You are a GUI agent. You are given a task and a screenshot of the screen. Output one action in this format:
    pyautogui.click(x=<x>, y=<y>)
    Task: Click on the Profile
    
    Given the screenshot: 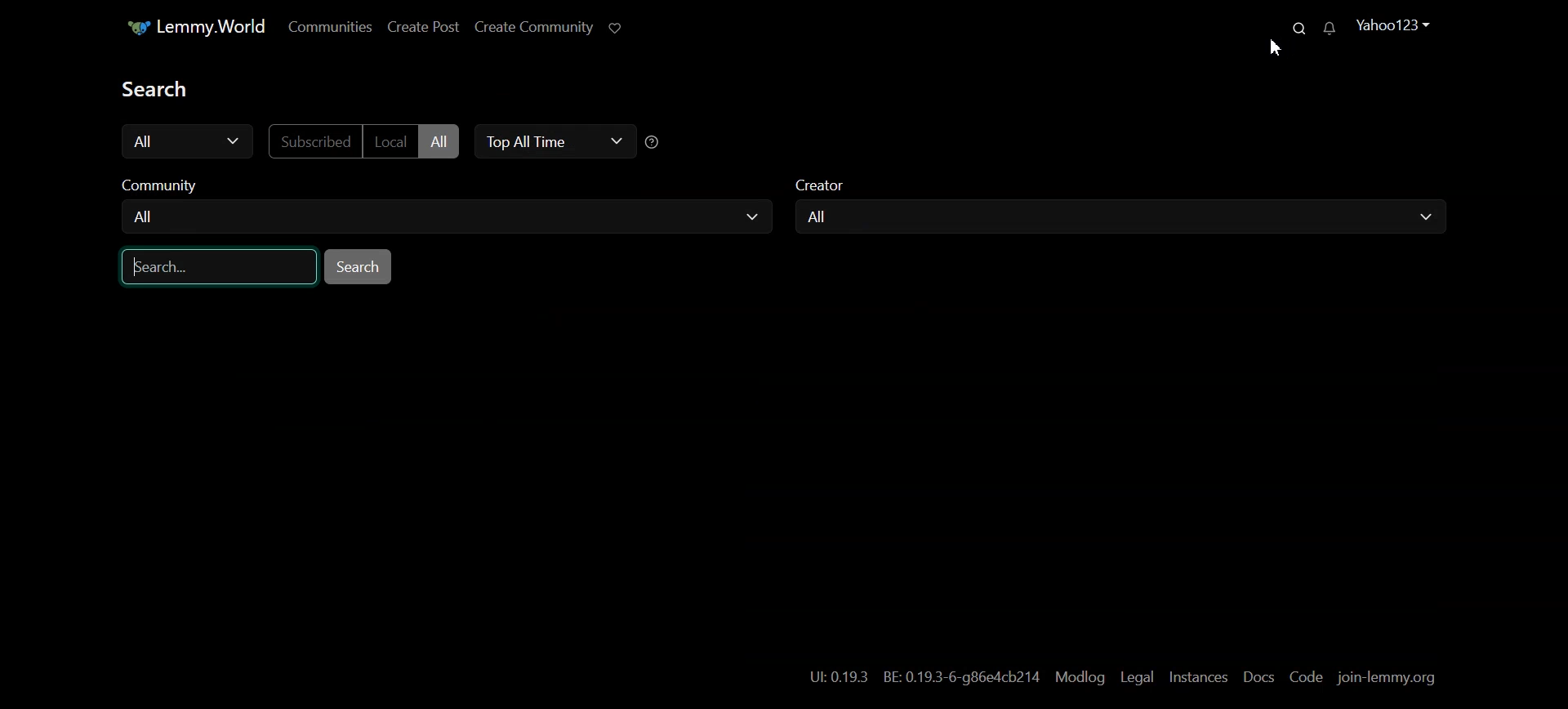 What is the action you would take?
    pyautogui.click(x=1387, y=24)
    